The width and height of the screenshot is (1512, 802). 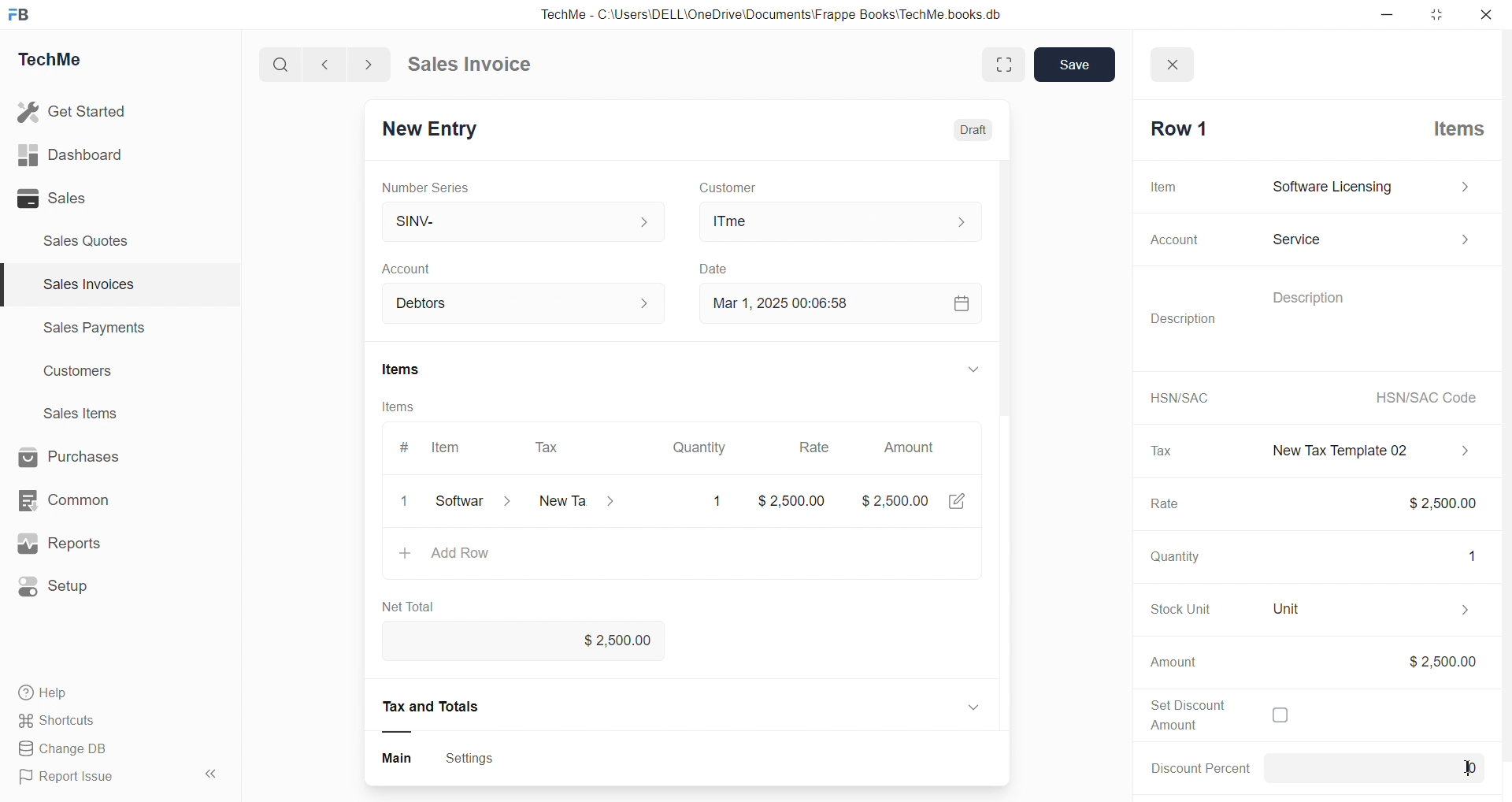 I want to click on # Item, so click(x=435, y=448).